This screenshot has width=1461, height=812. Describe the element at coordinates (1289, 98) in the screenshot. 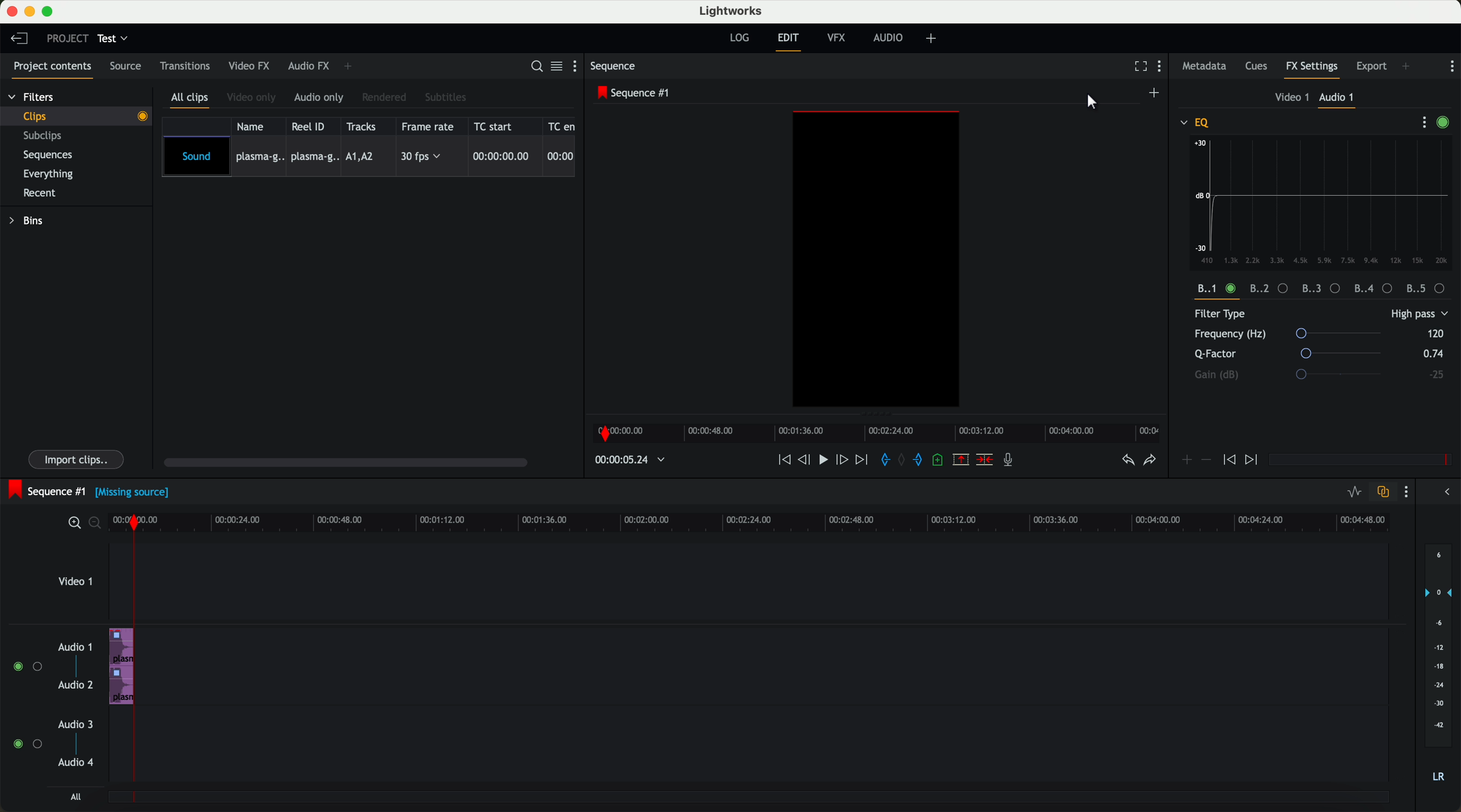

I see `video 1` at that location.